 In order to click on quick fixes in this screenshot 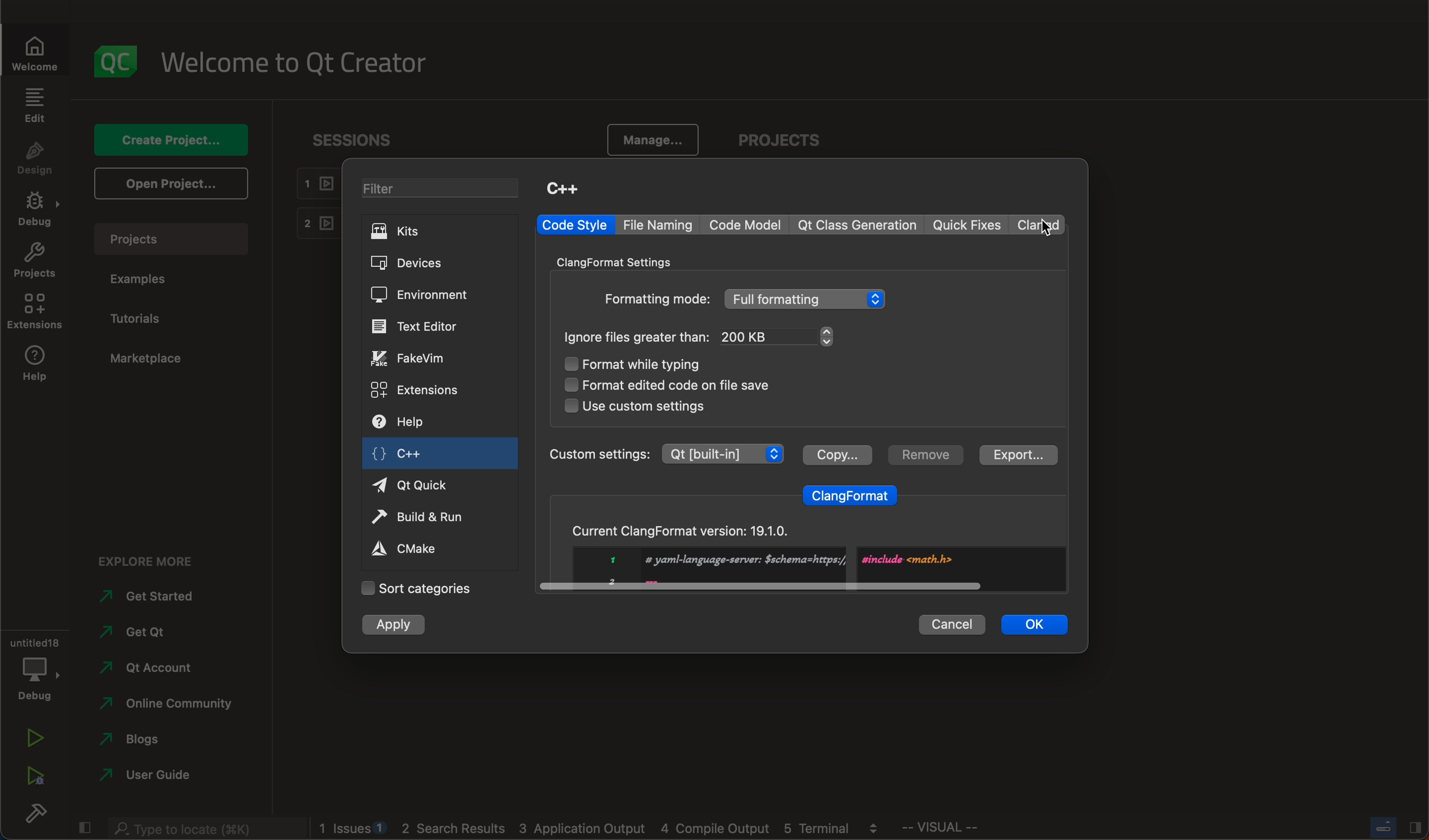, I will do `click(967, 224)`.